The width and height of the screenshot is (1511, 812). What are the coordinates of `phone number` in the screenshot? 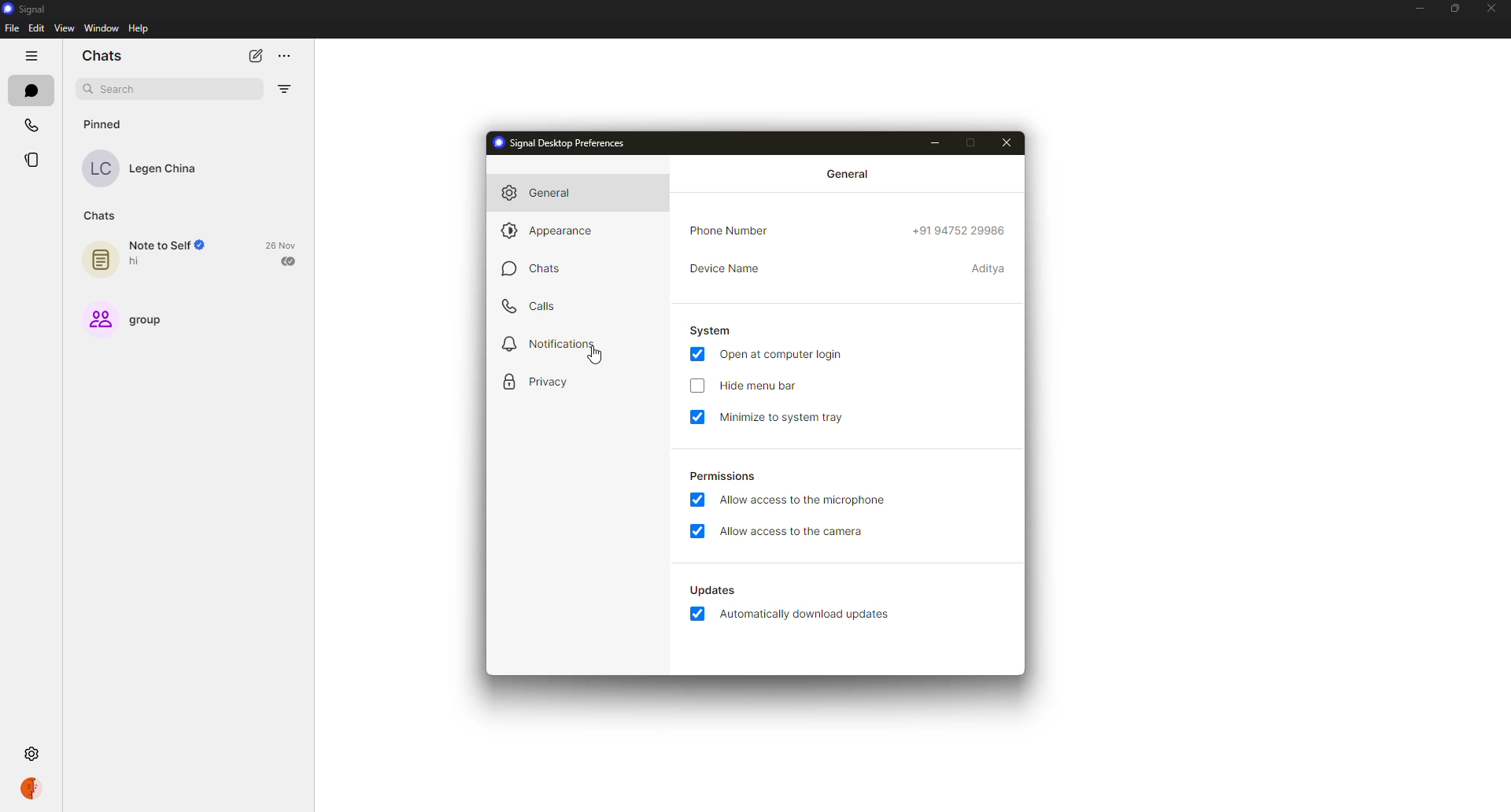 It's located at (734, 231).